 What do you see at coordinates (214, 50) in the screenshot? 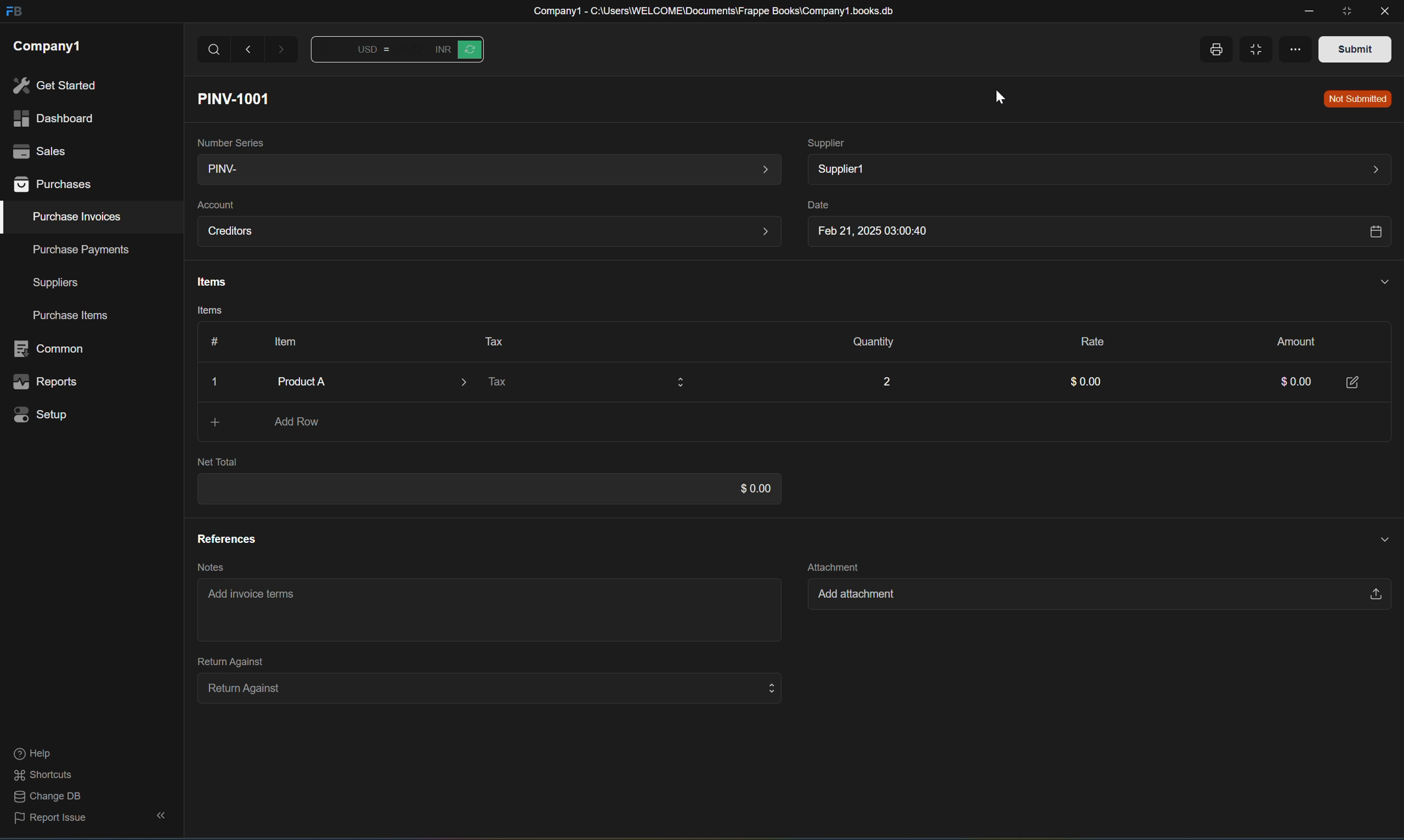
I see `Search` at bounding box center [214, 50].